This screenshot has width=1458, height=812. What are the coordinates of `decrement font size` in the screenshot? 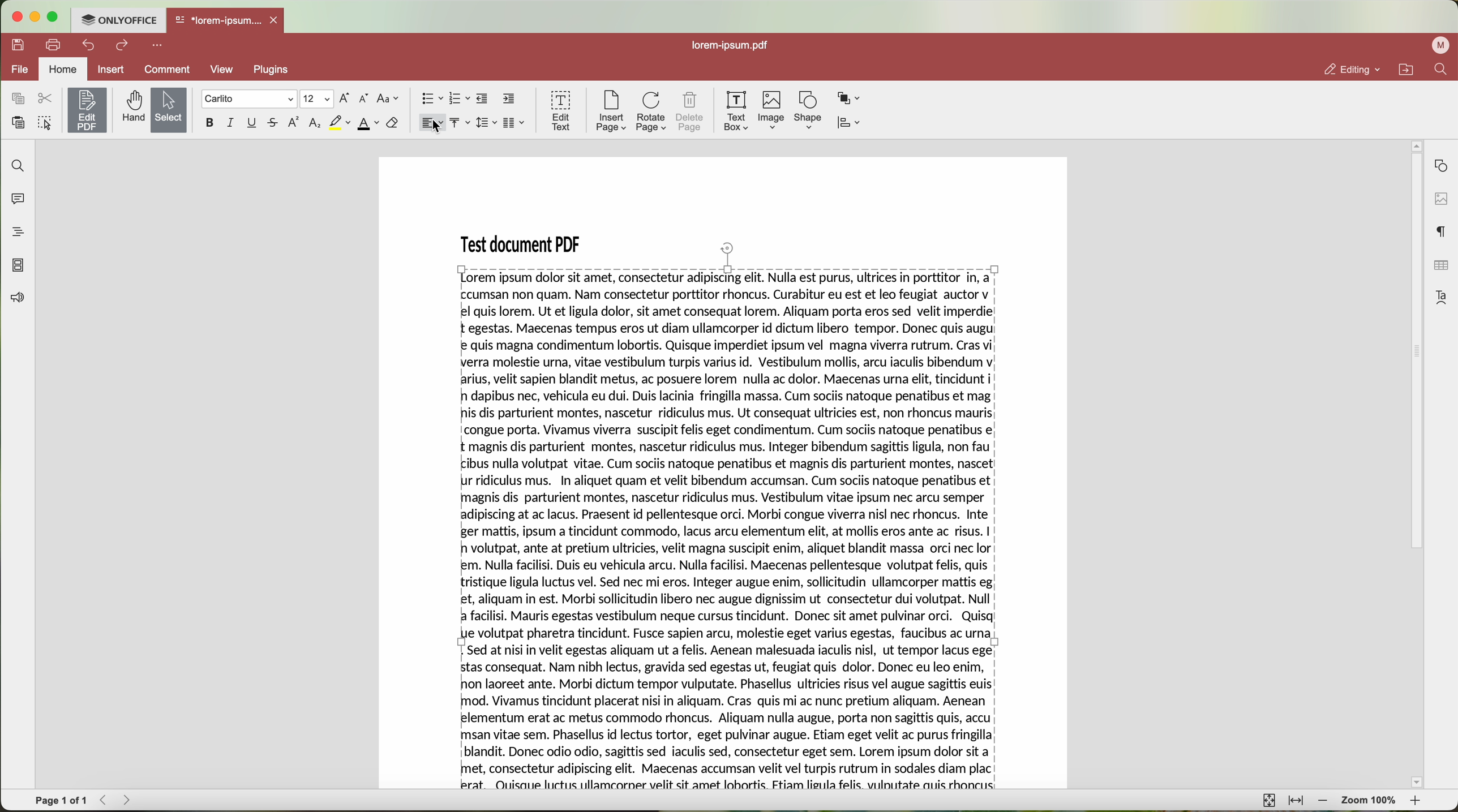 It's located at (365, 99).